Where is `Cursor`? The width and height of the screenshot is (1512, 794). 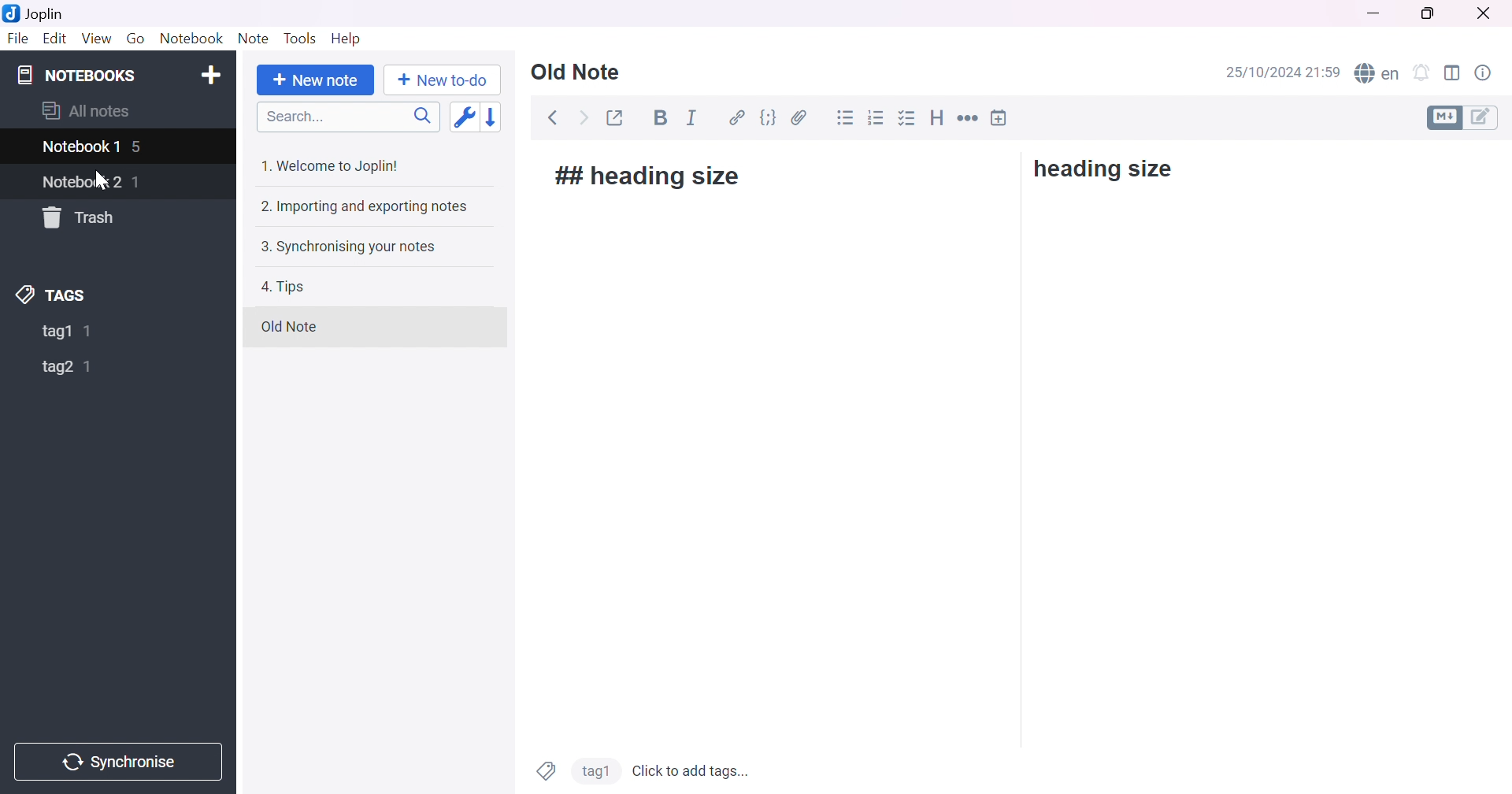 Cursor is located at coordinates (98, 179).